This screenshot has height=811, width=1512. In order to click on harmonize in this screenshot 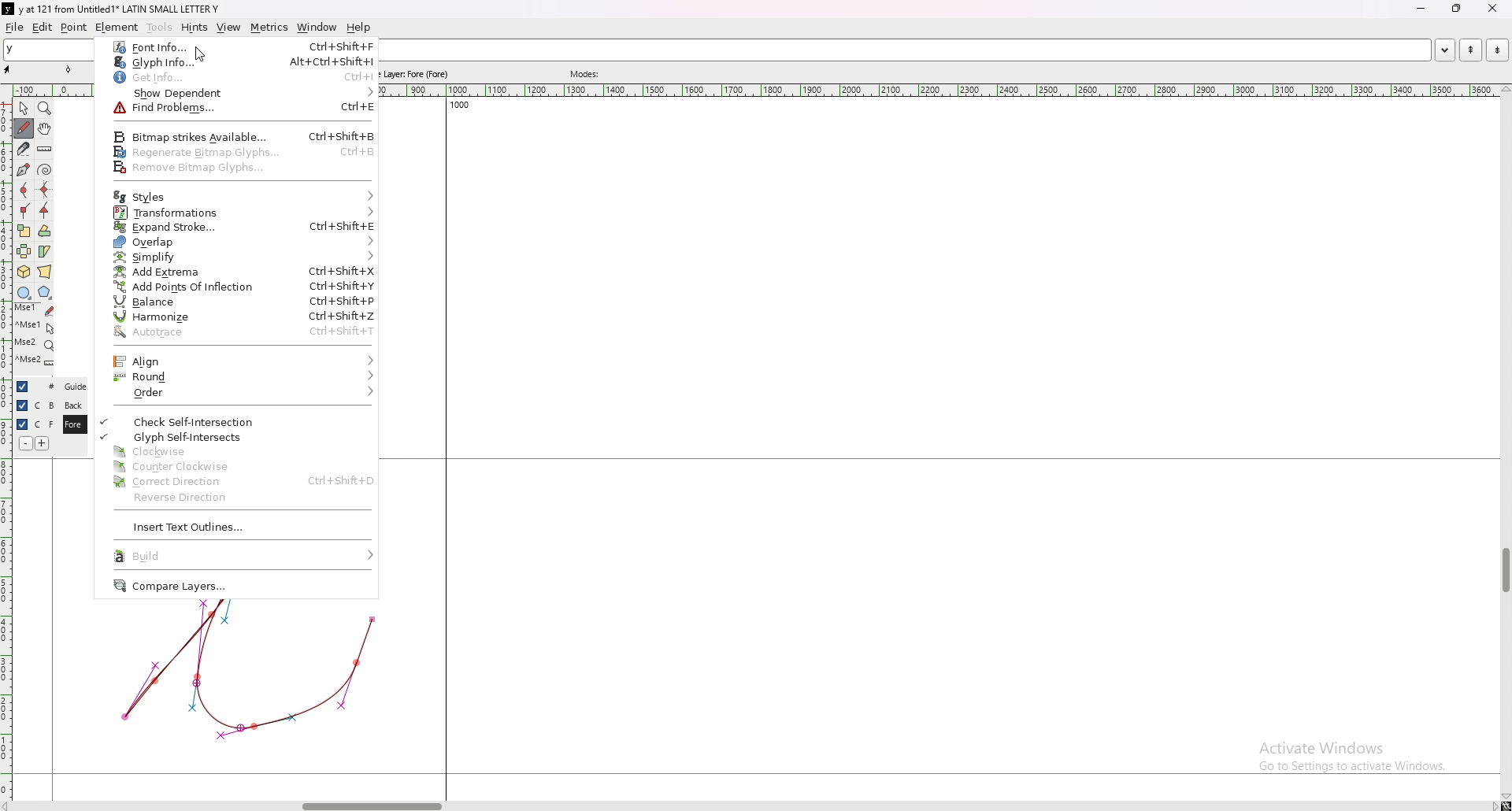, I will do `click(237, 317)`.